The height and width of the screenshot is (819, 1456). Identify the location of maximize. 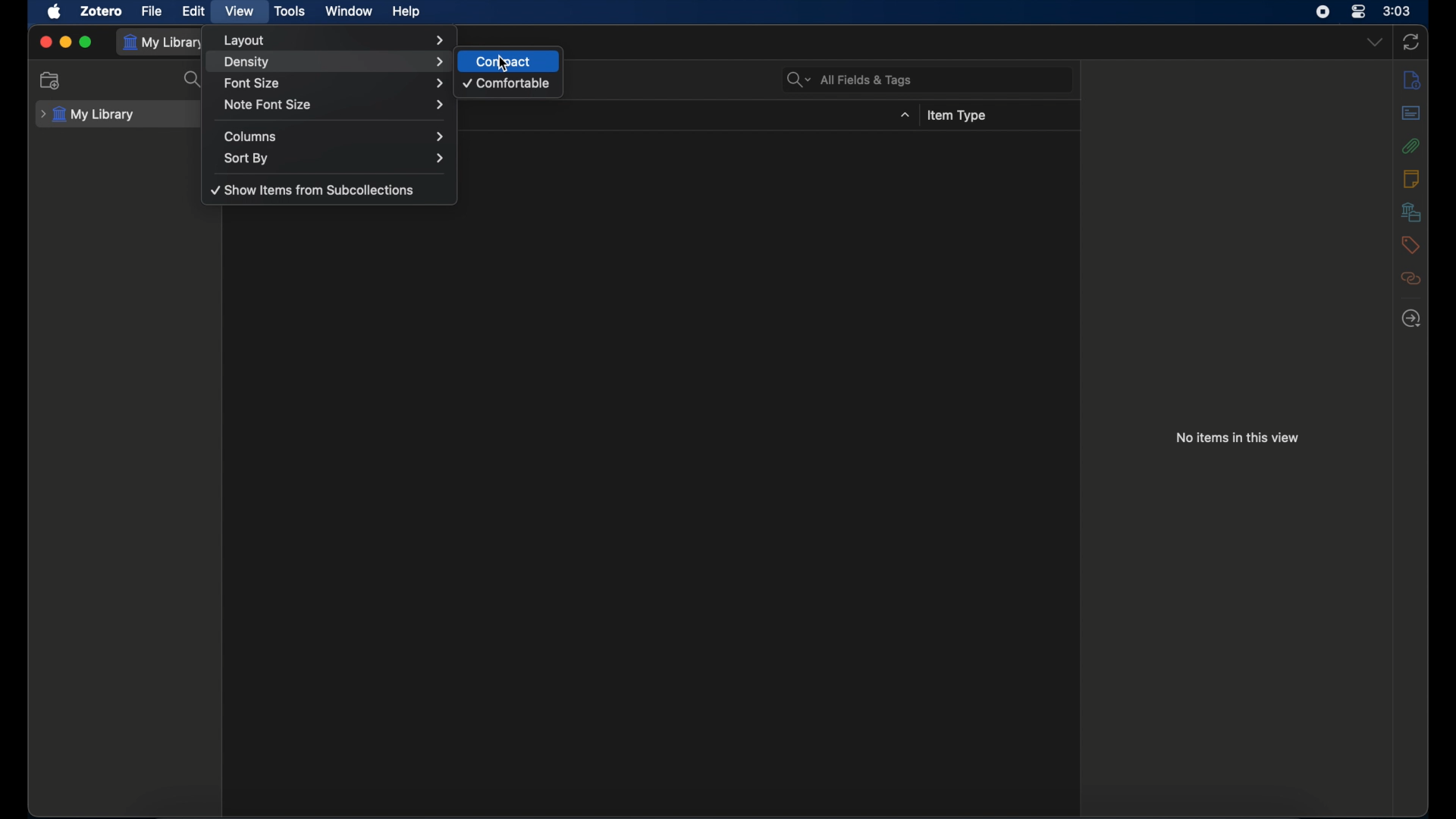
(86, 42).